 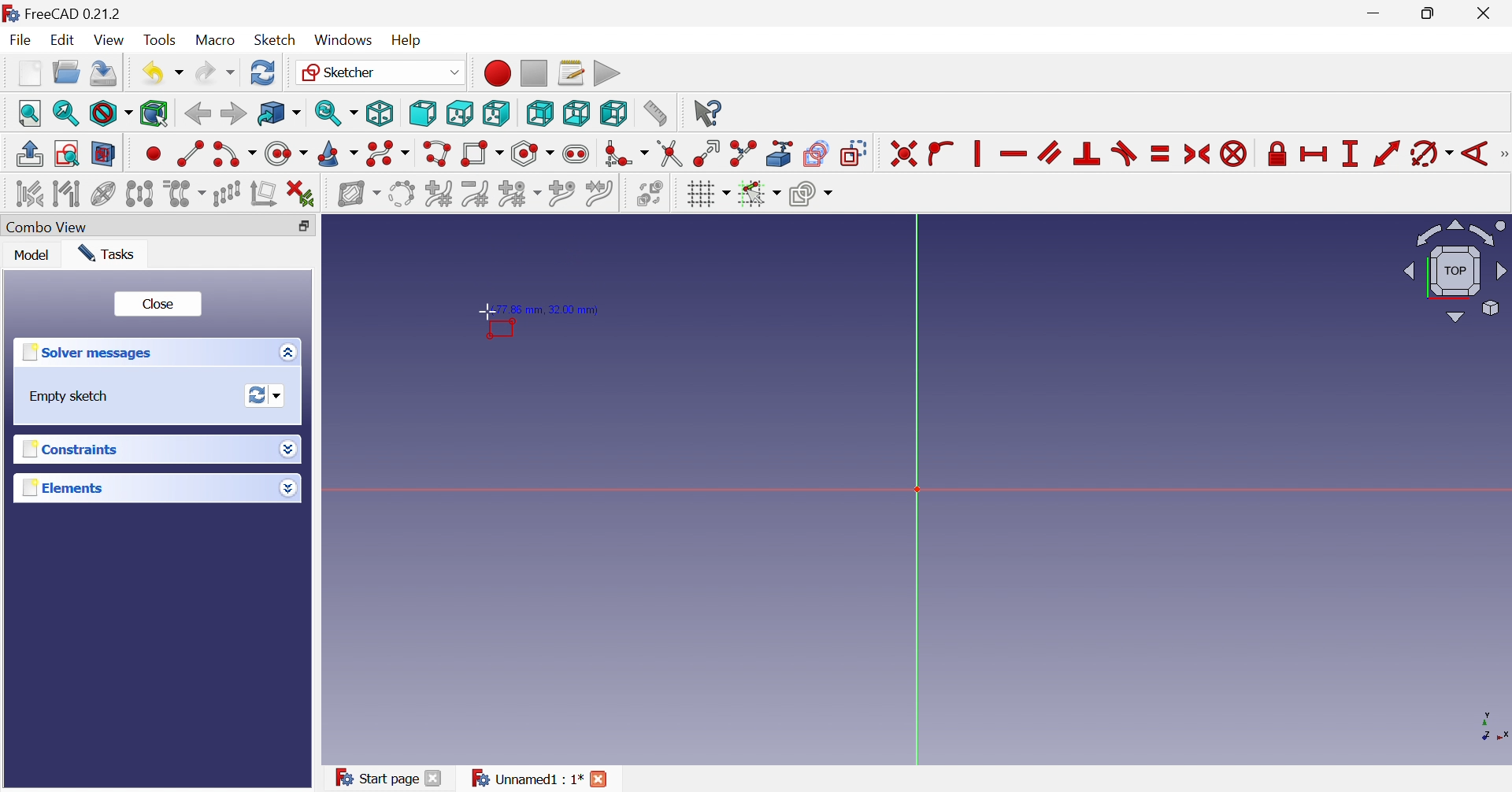 I want to click on Create rectangle, so click(x=481, y=154).